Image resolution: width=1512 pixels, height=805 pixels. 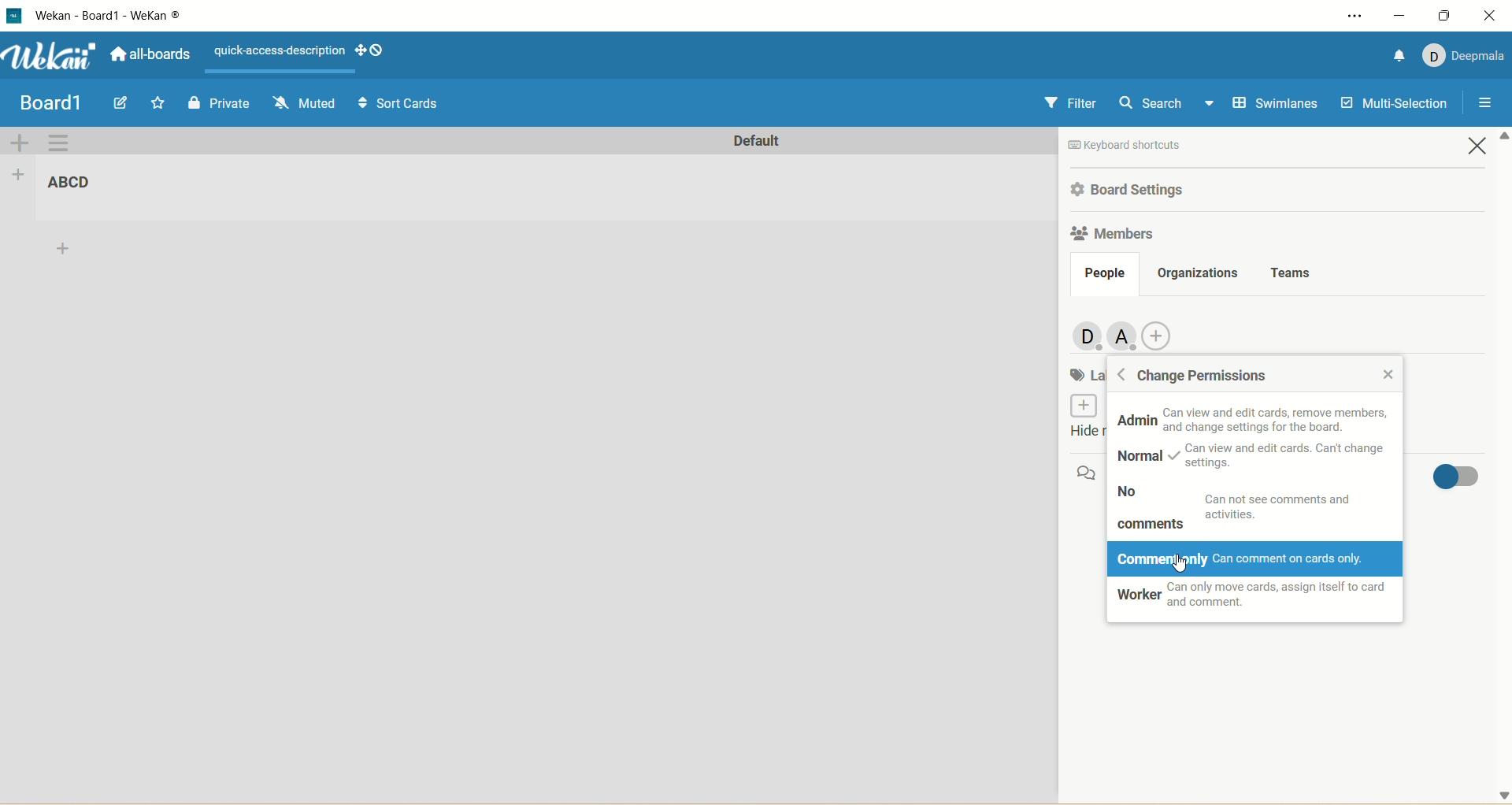 I want to click on organizations, so click(x=1199, y=272).